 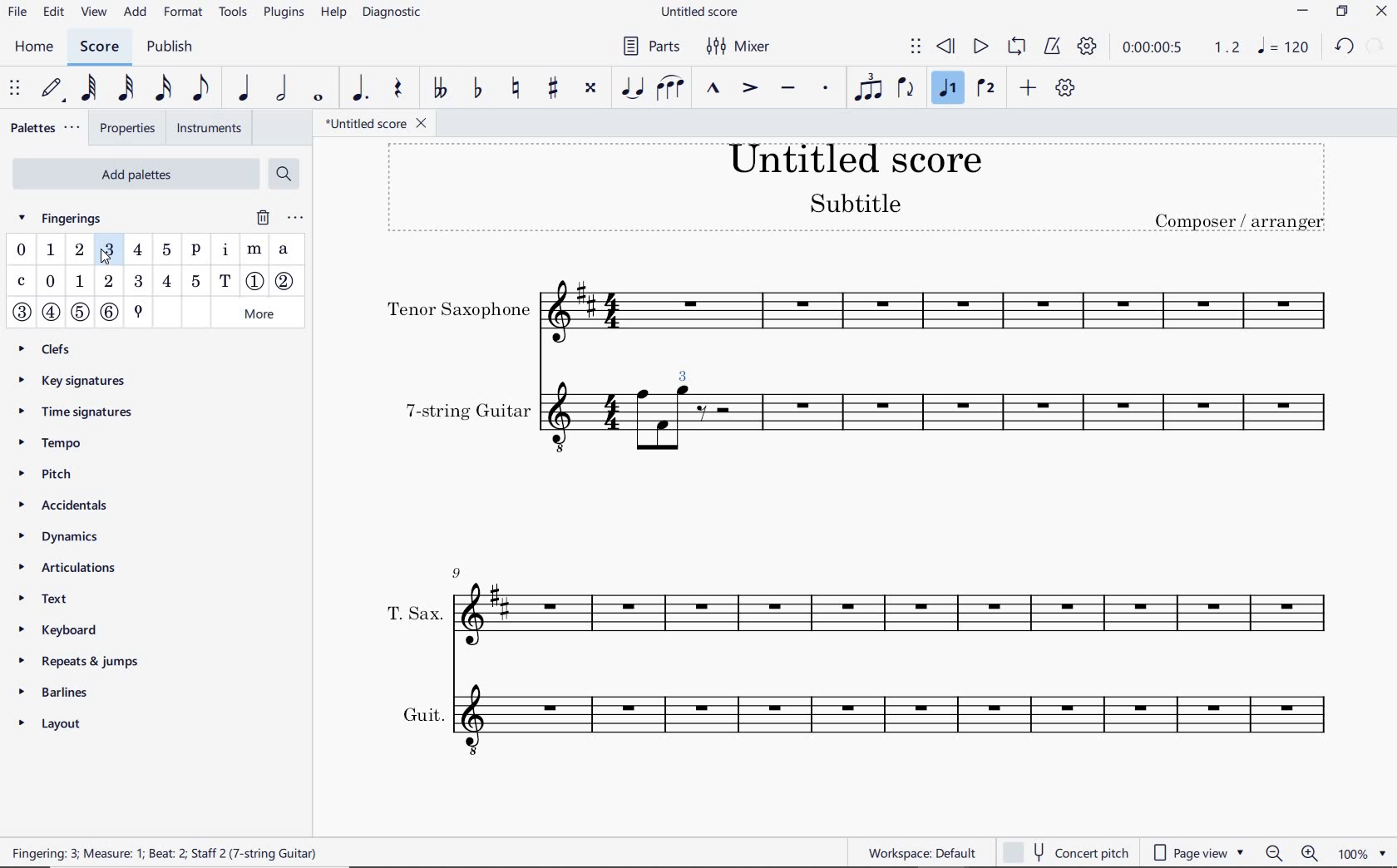 I want to click on CUSTOMIZE TOOLBAR, so click(x=1064, y=87).